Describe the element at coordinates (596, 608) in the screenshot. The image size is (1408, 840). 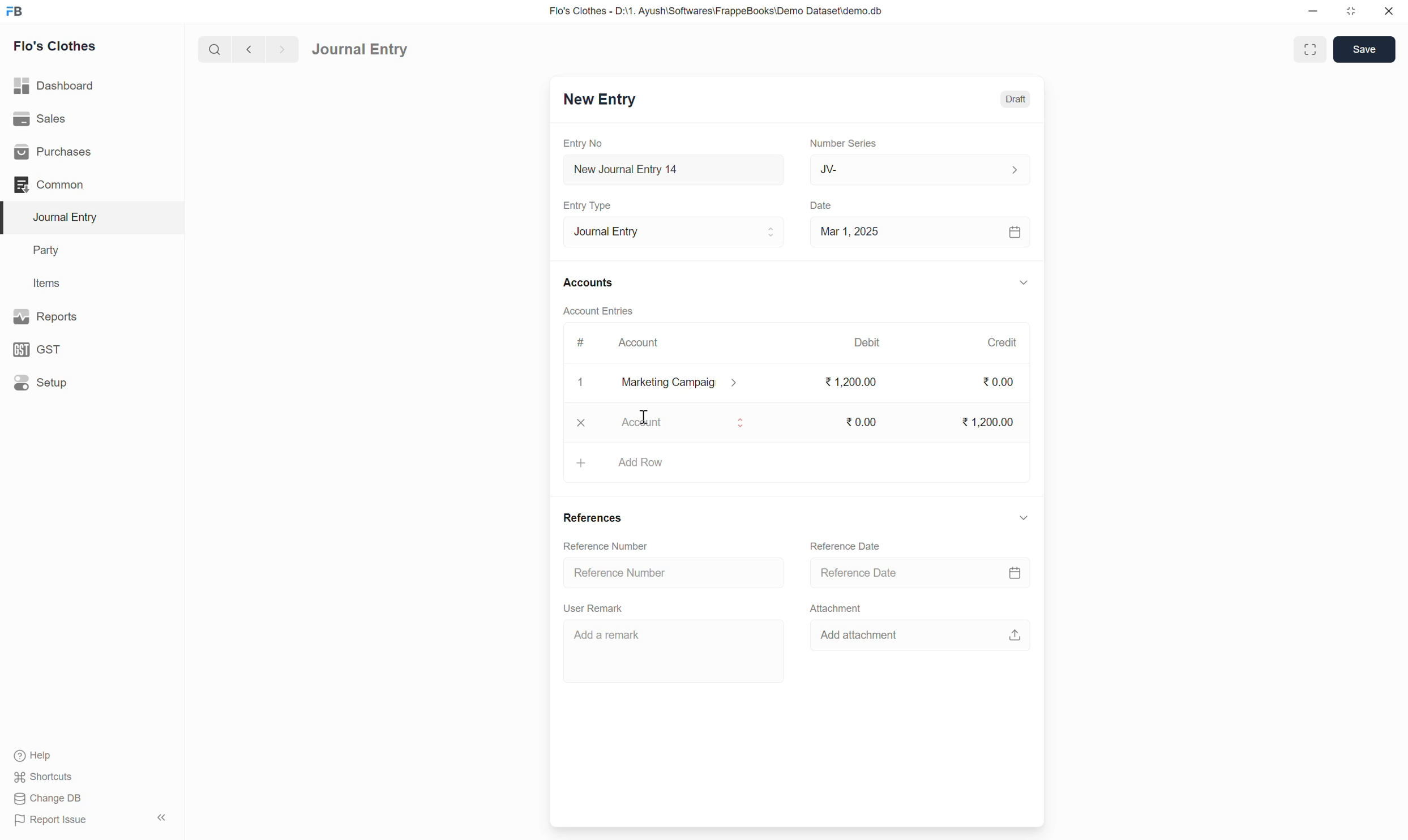
I see `User Remark` at that location.